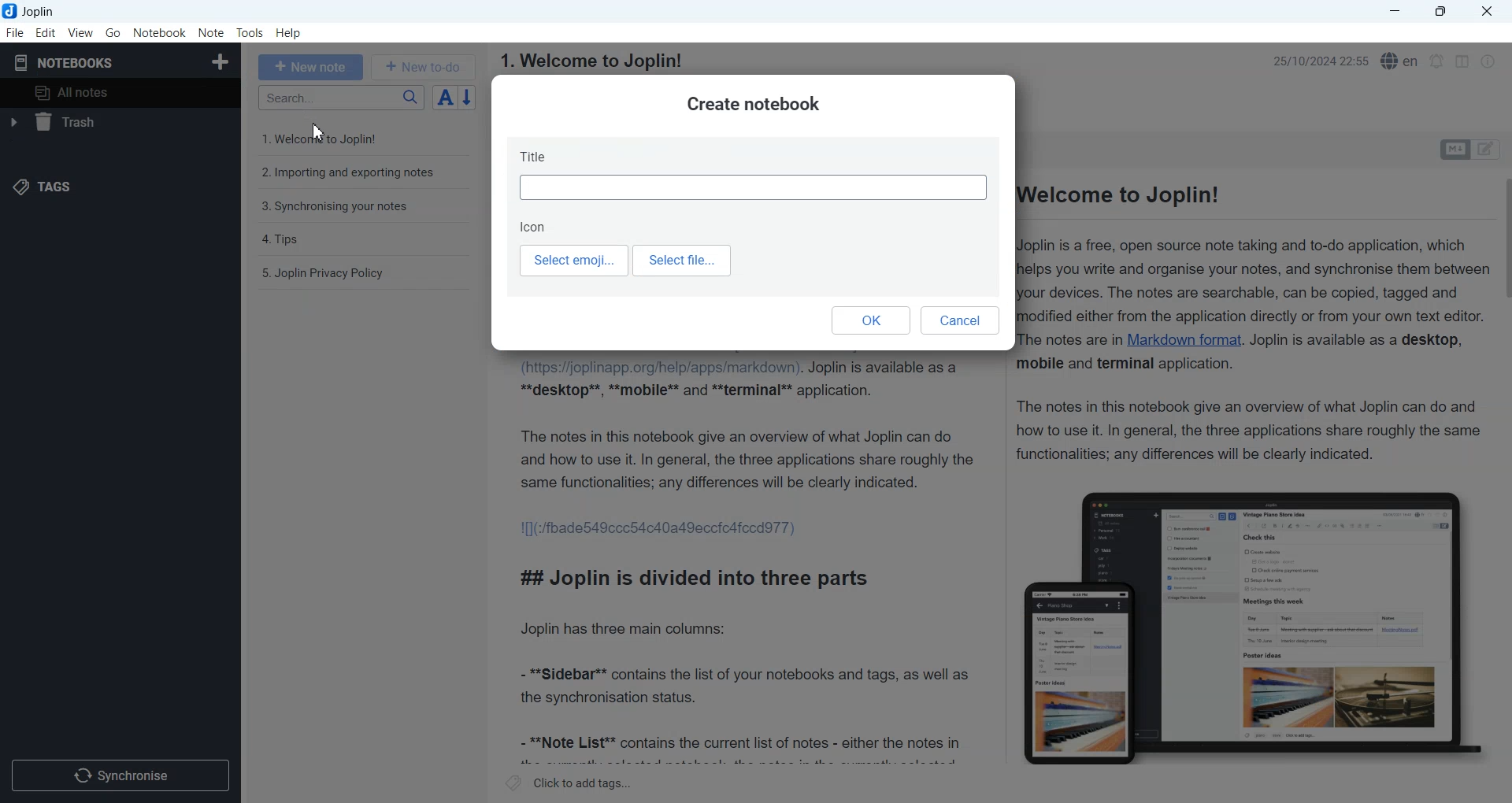 The height and width of the screenshot is (803, 1512). What do you see at coordinates (1485, 12) in the screenshot?
I see `Close` at bounding box center [1485, 12].